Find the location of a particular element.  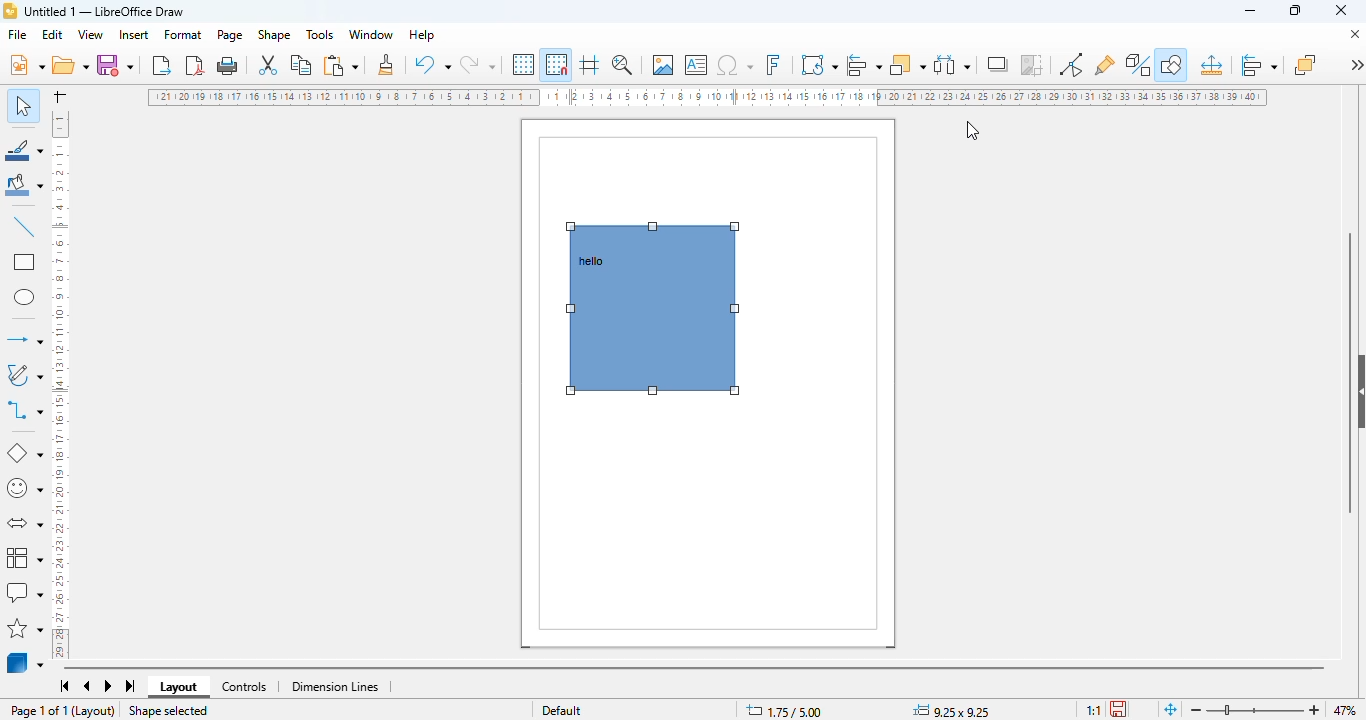

change in X & Y coordinates is located at coordinates (784, 711).